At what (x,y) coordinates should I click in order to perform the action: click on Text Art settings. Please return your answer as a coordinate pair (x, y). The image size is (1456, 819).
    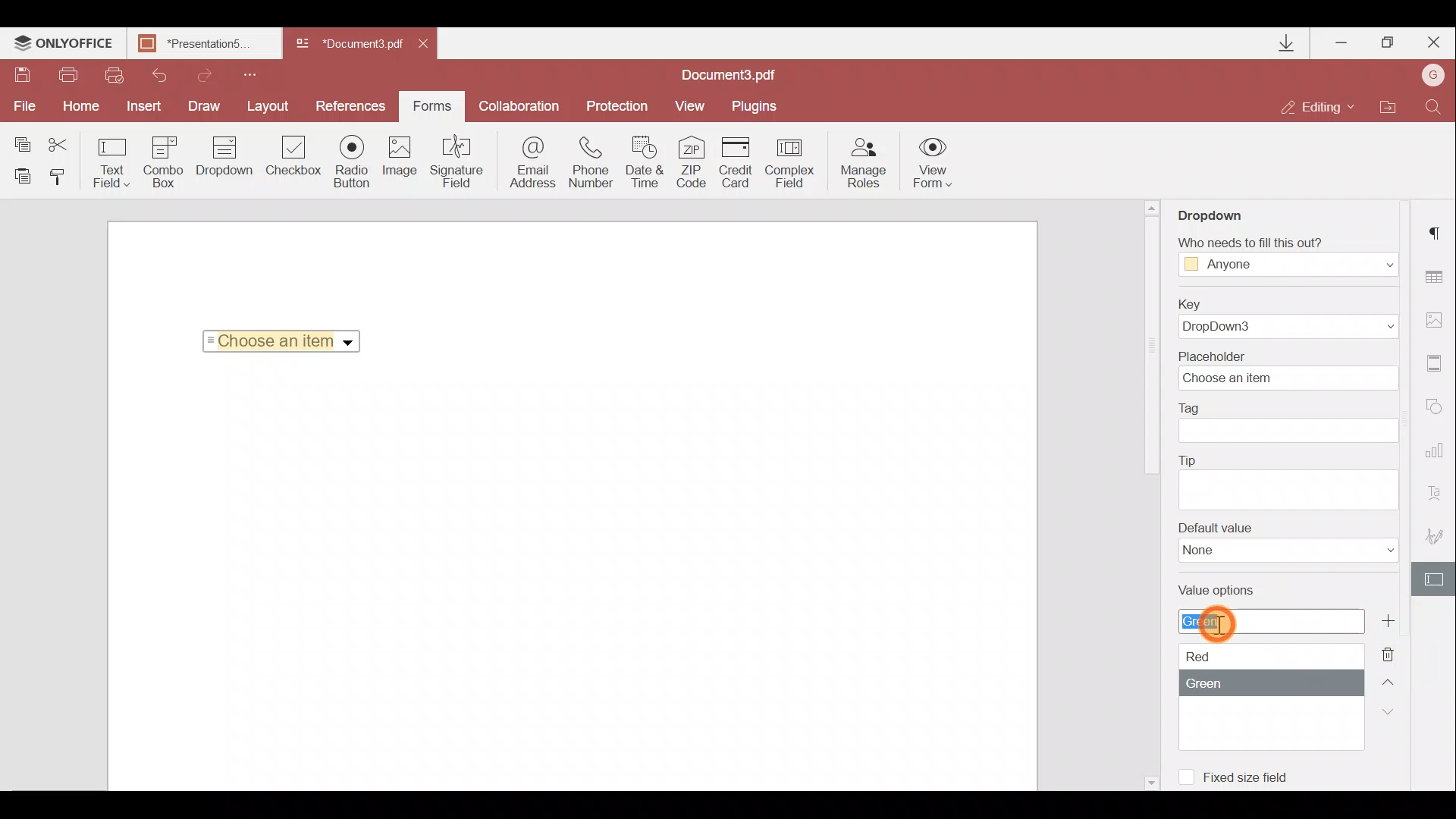
    Looking at the image, I should click on (1439, 491).